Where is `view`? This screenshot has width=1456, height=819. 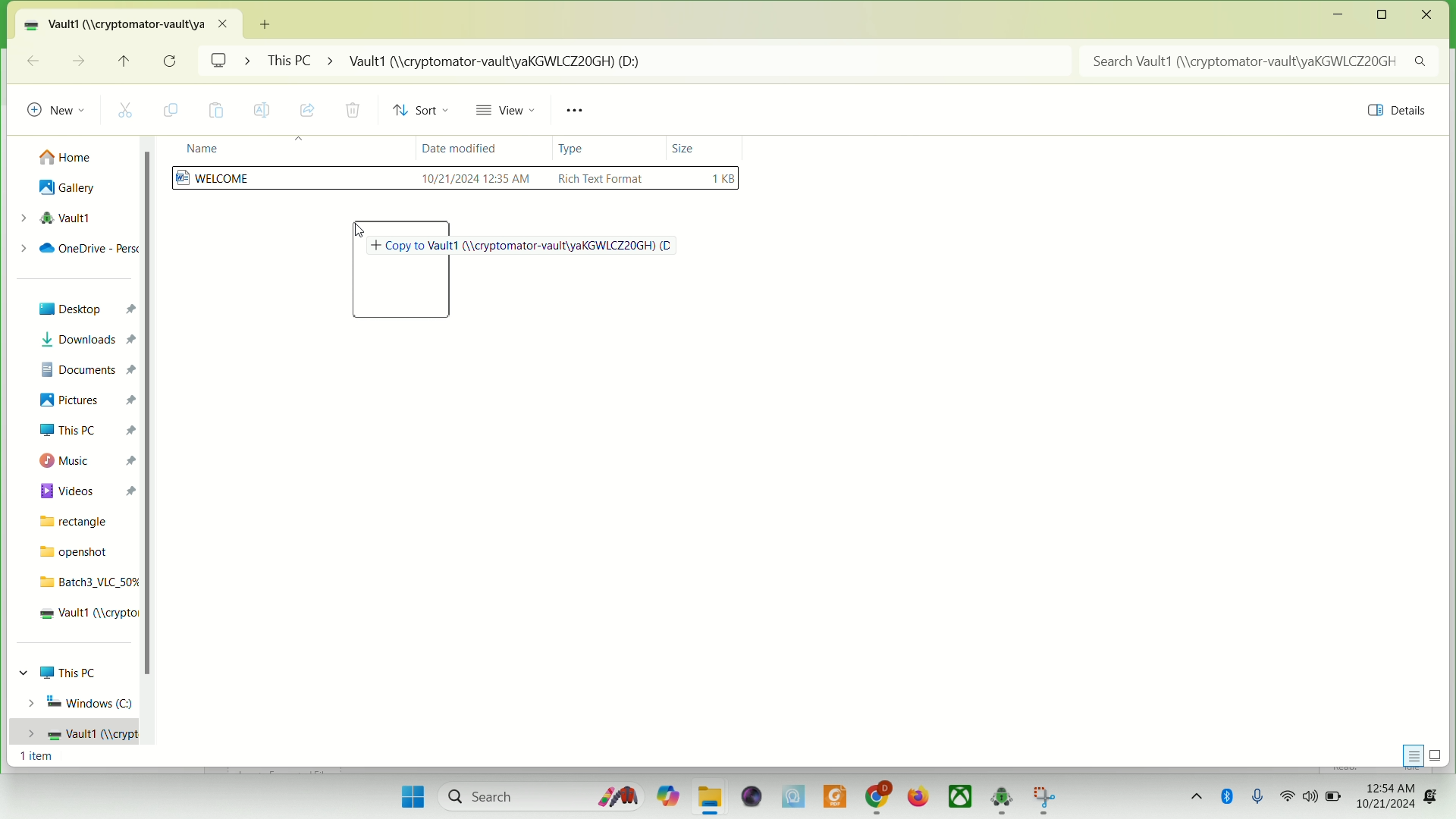
view is located at coordinates (510, 113).